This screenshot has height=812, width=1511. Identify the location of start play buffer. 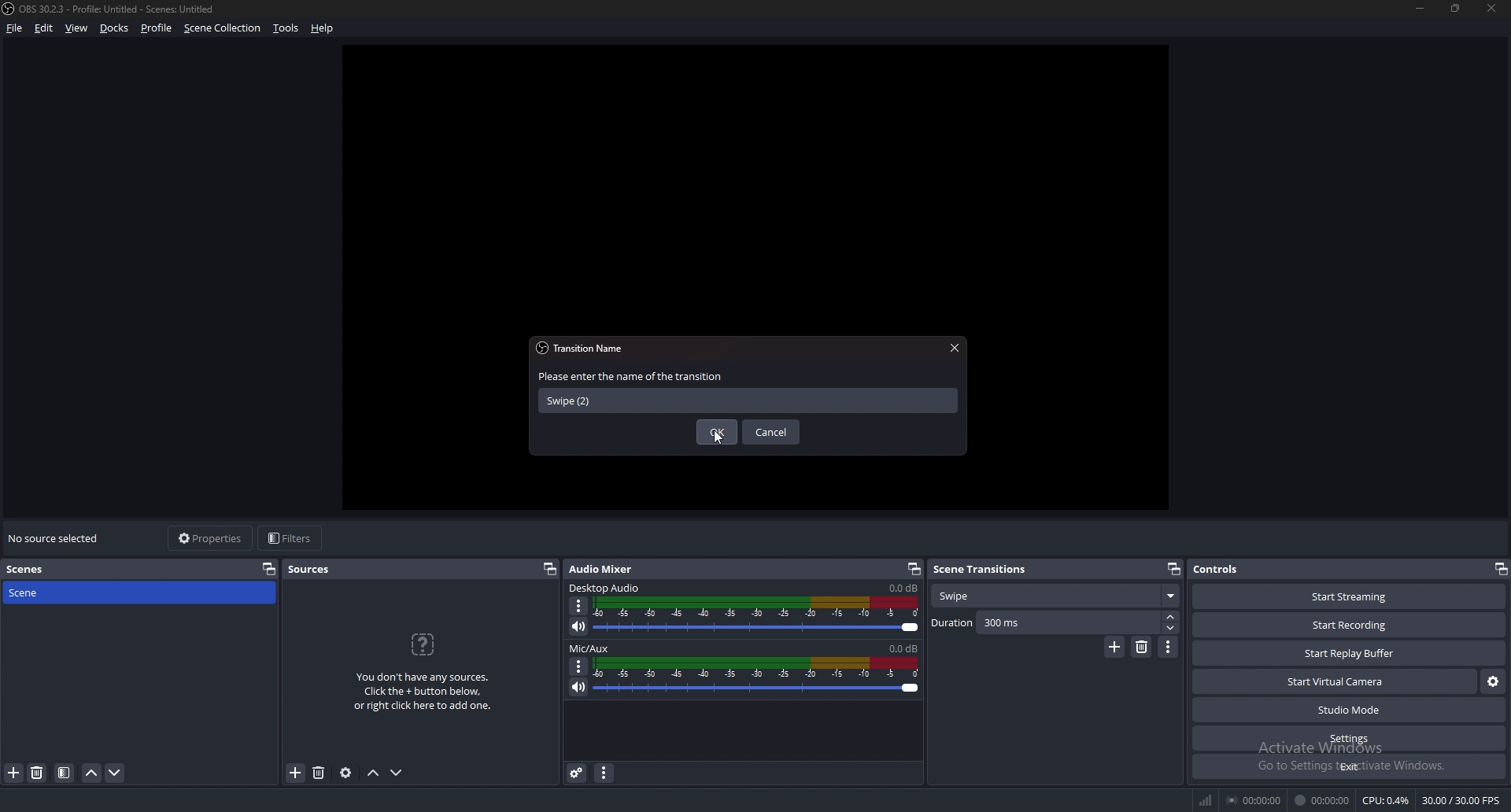
(1350, 653).